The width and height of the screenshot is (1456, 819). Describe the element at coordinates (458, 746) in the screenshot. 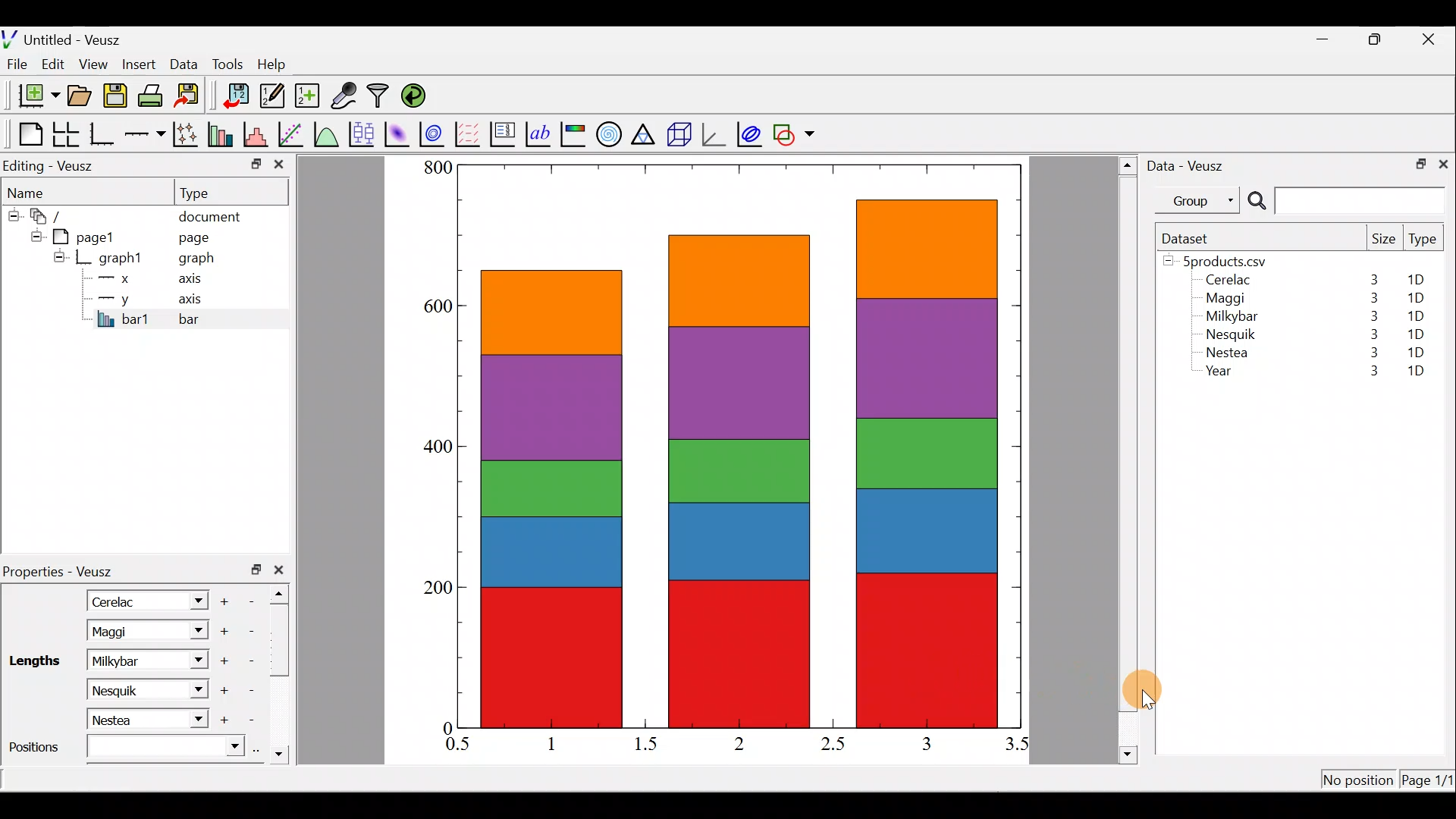

I see `0.5` at that location.